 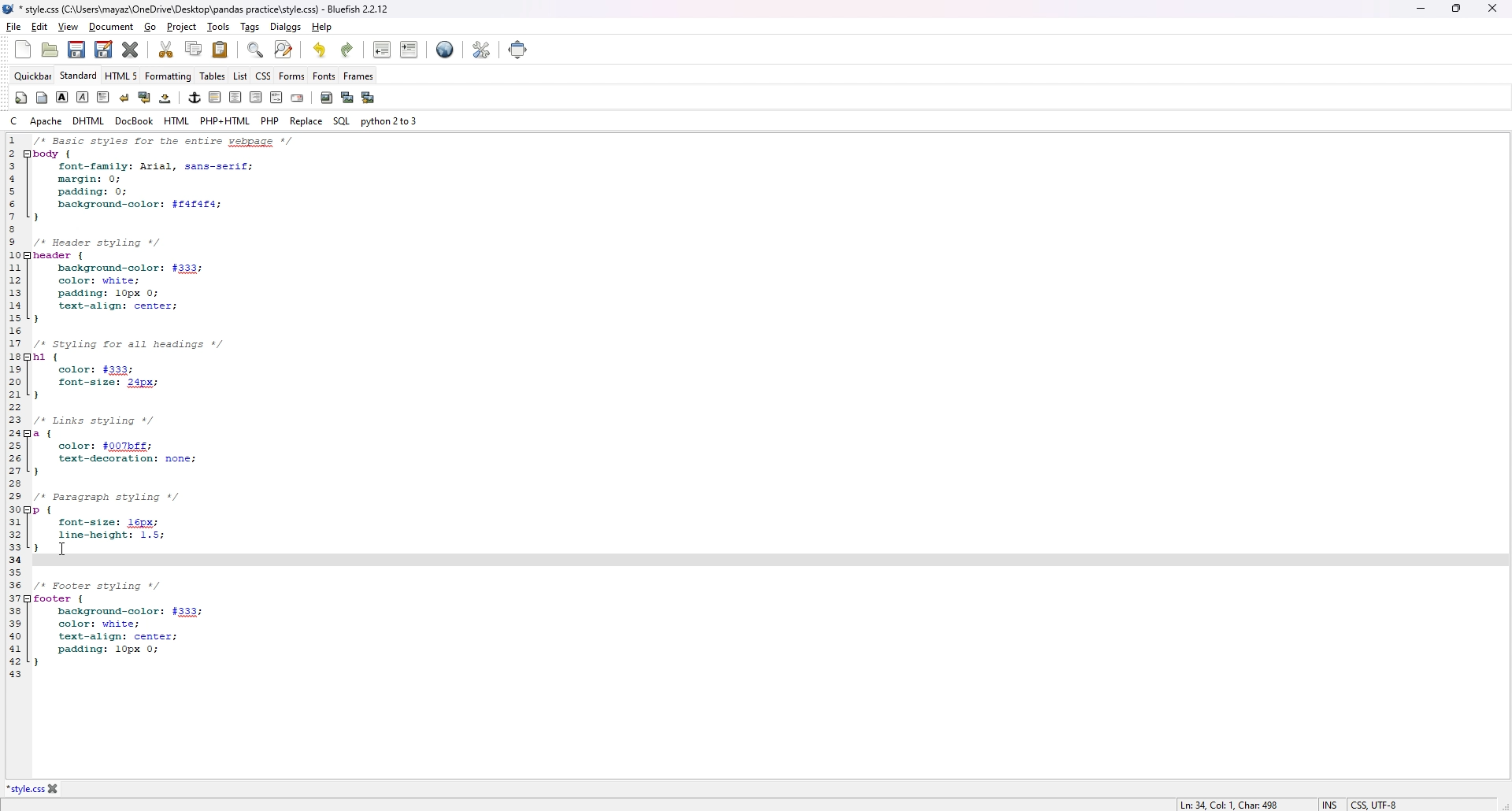 What do you see at coordinates (182, 27) in the screenshot?
I see `project` at bounding box center [182, 27].